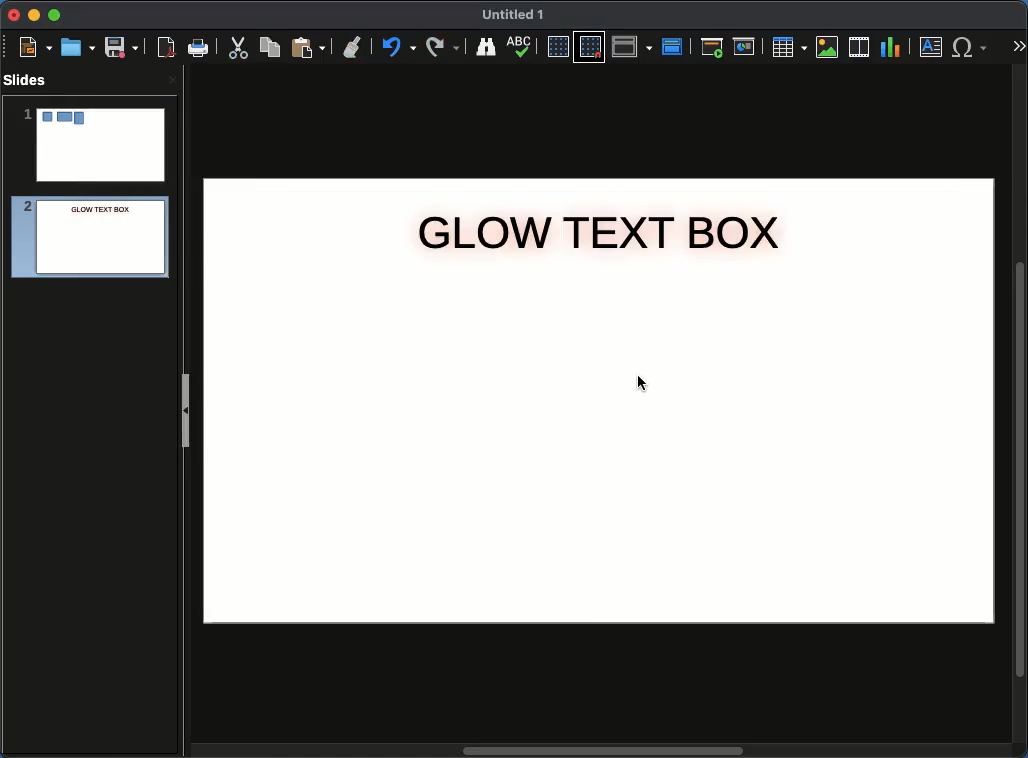  What do you see at coordinates (599, 234) in the screenshot?
I see `GLOW TEXT BOX` at bounding box center [599, 234].